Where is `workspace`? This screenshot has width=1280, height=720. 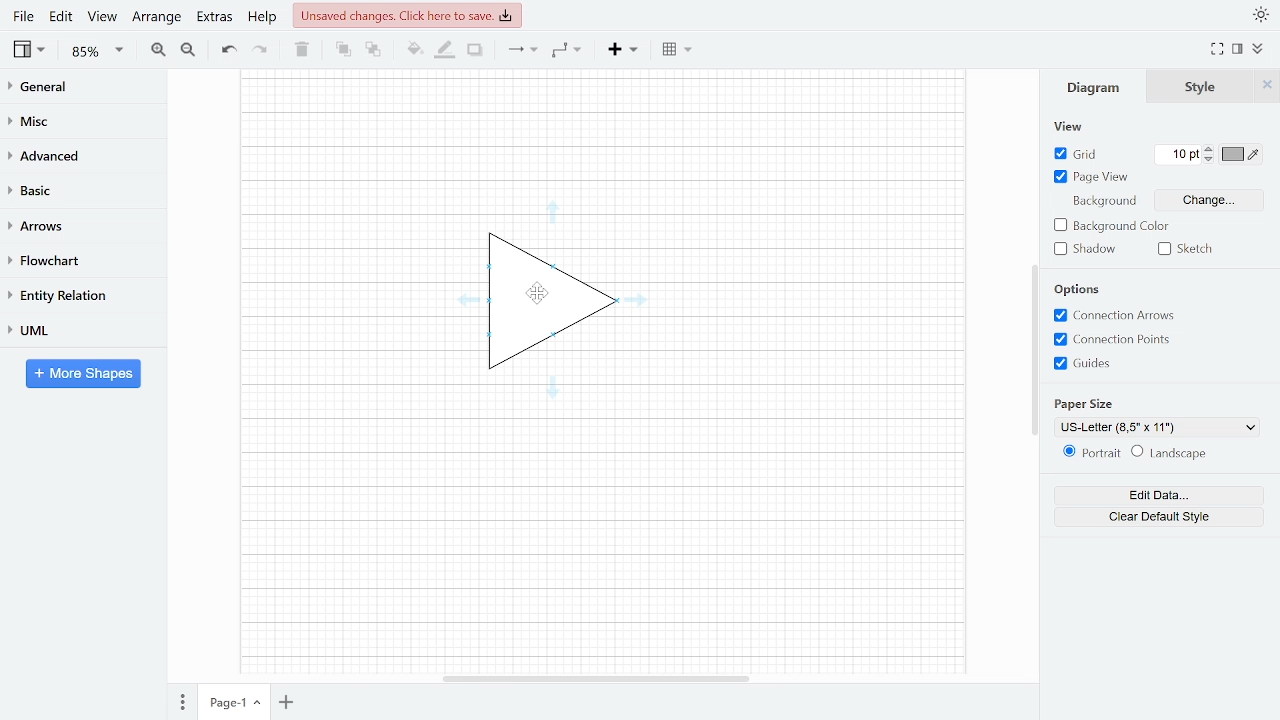
workspace is located at coordinates (320, 302).